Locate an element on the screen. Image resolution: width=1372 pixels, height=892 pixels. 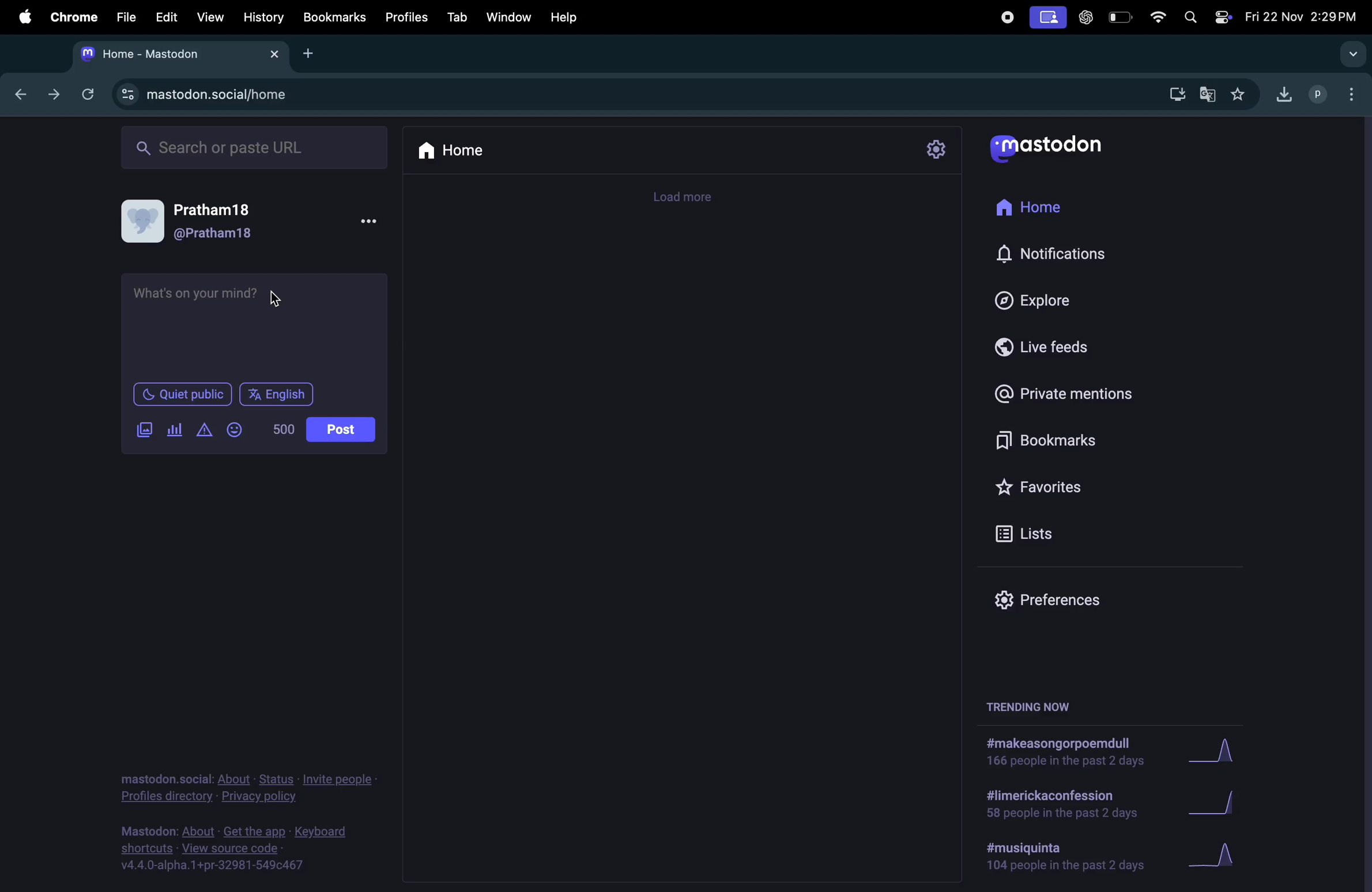
help is located at coordinates (567, 17).